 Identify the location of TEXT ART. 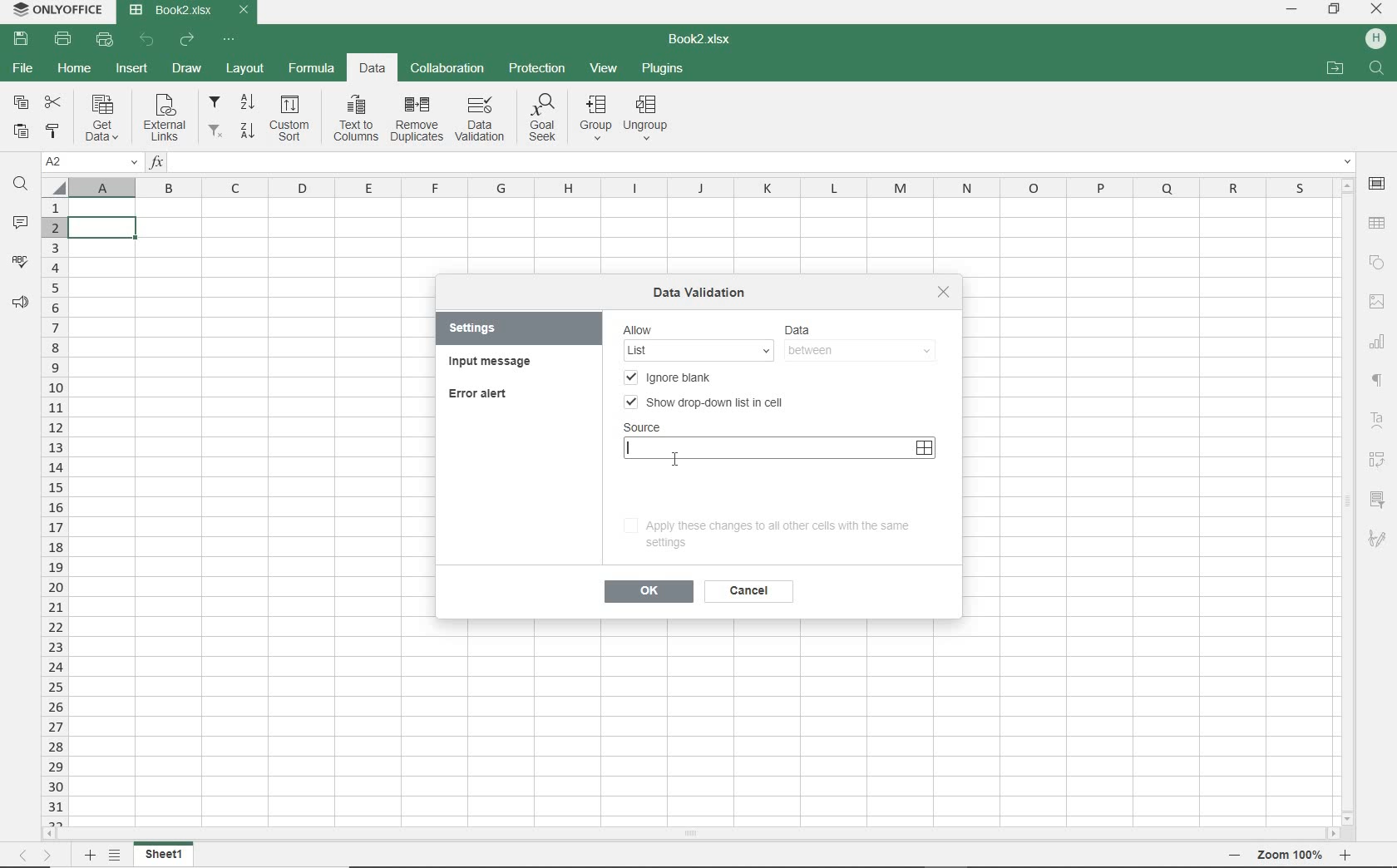
(1378, 422).